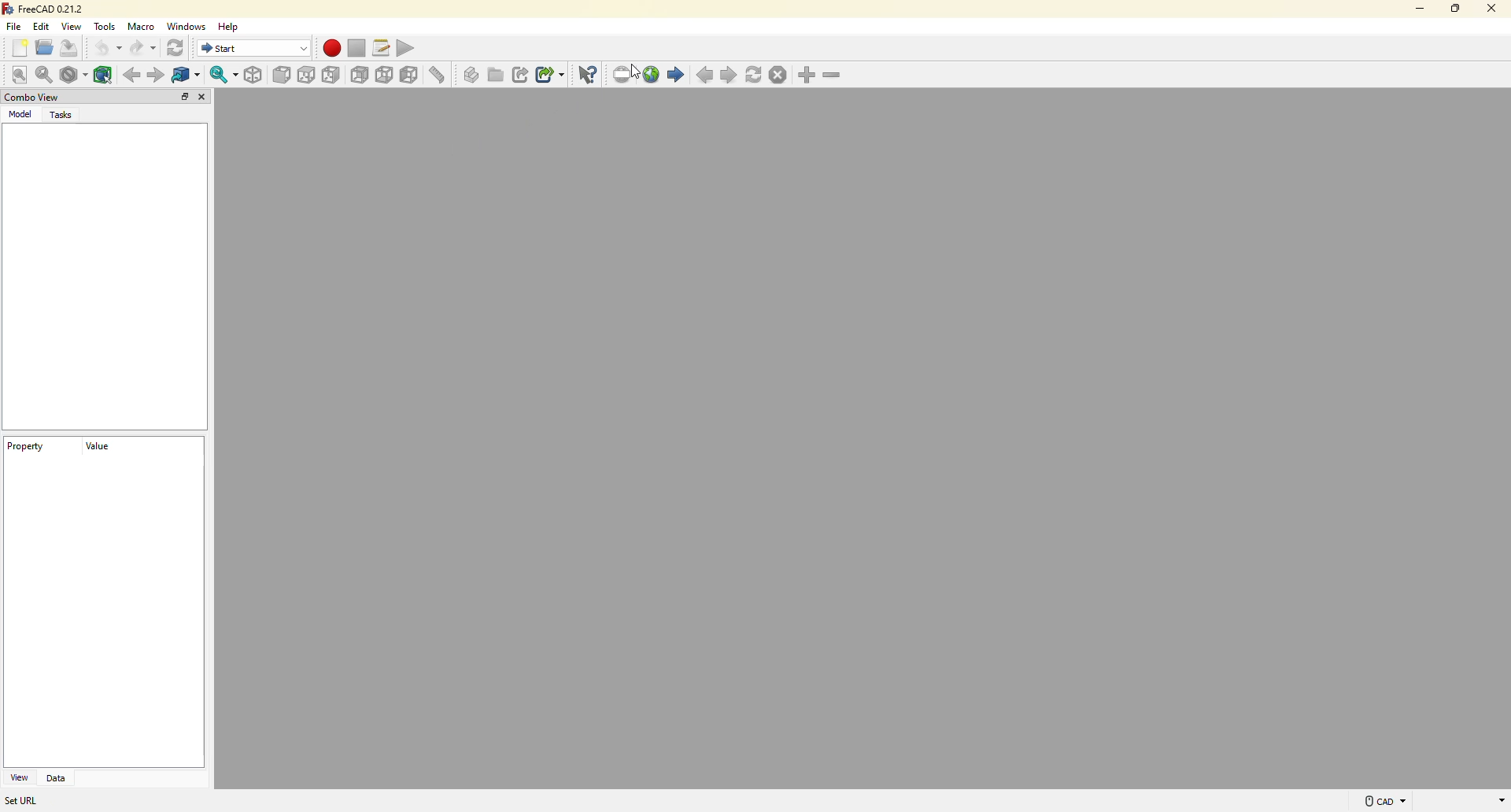 Image resolution: width=1511 pixels, height=812 pixels. Describe the element at coordinates (43, 26) in the screenshot. I see `edit` at that location.